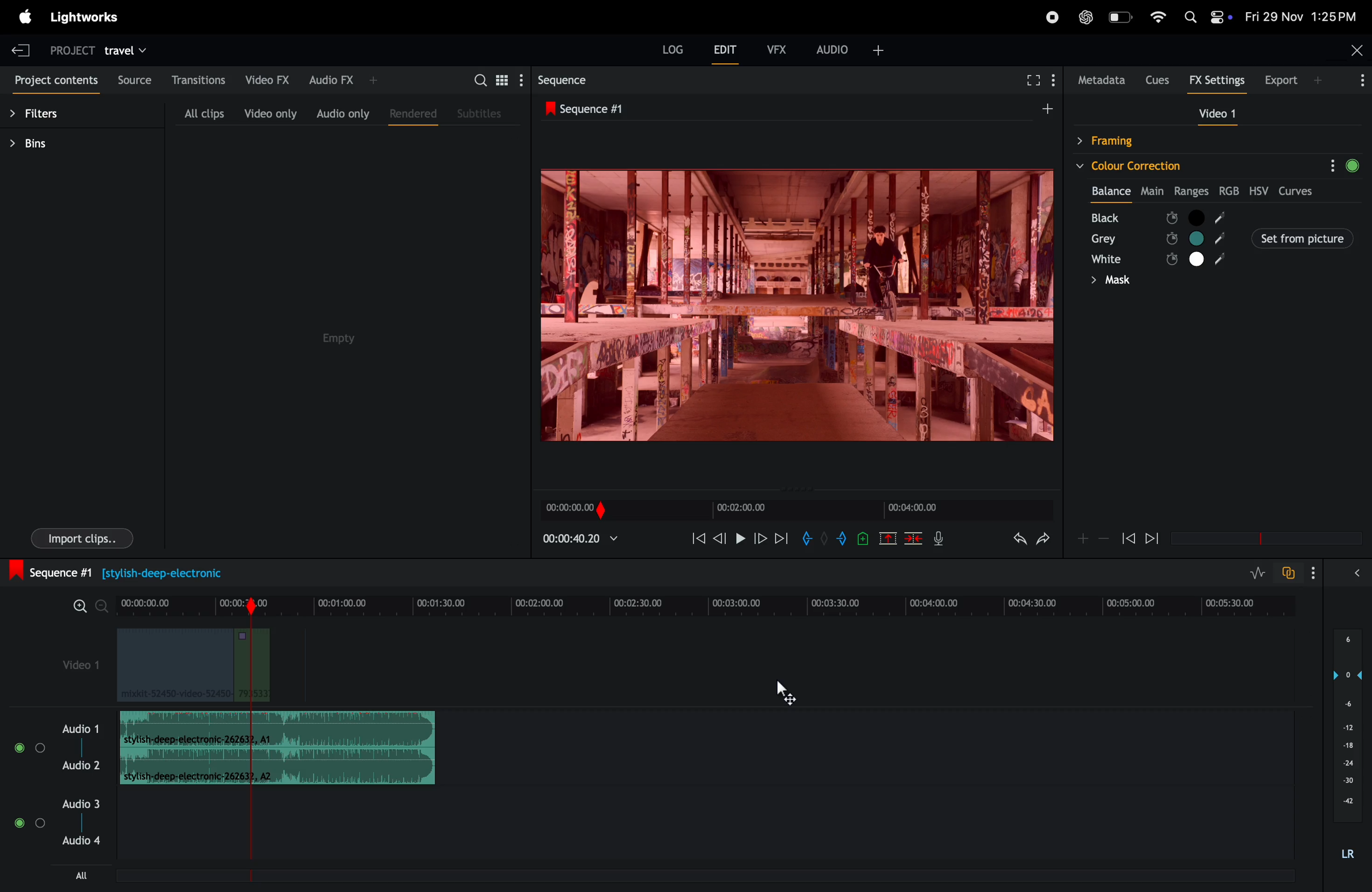 This screenshot has height=892, width=1372. Describe the element at coordinates (1247, 263) in the screenshot. I see `rgb colours` at that location.